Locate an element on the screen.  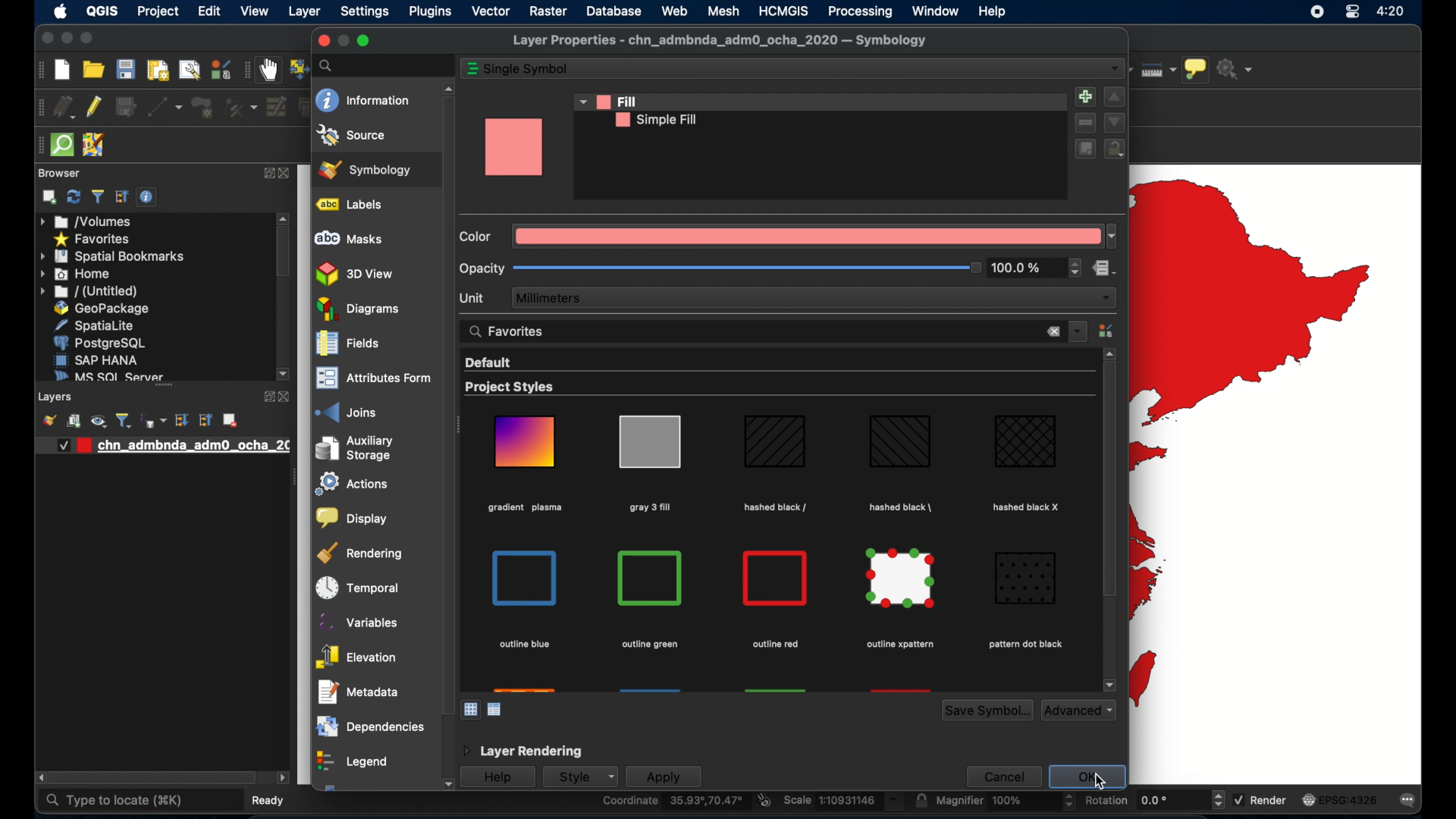
style manager is located at coordinates (220, 70).